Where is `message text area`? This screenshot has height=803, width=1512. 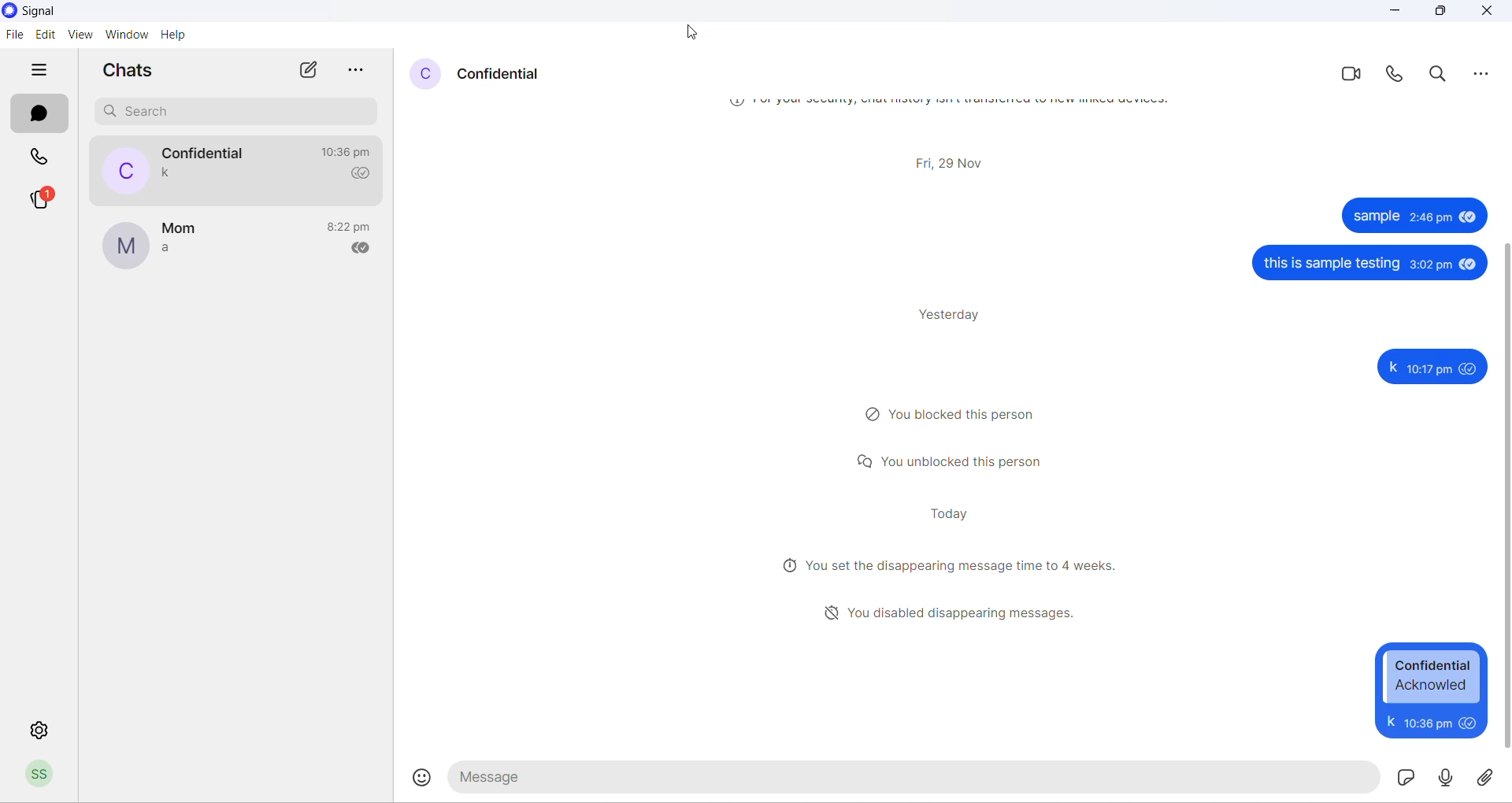 message text area is located at coordinates (914, 777).